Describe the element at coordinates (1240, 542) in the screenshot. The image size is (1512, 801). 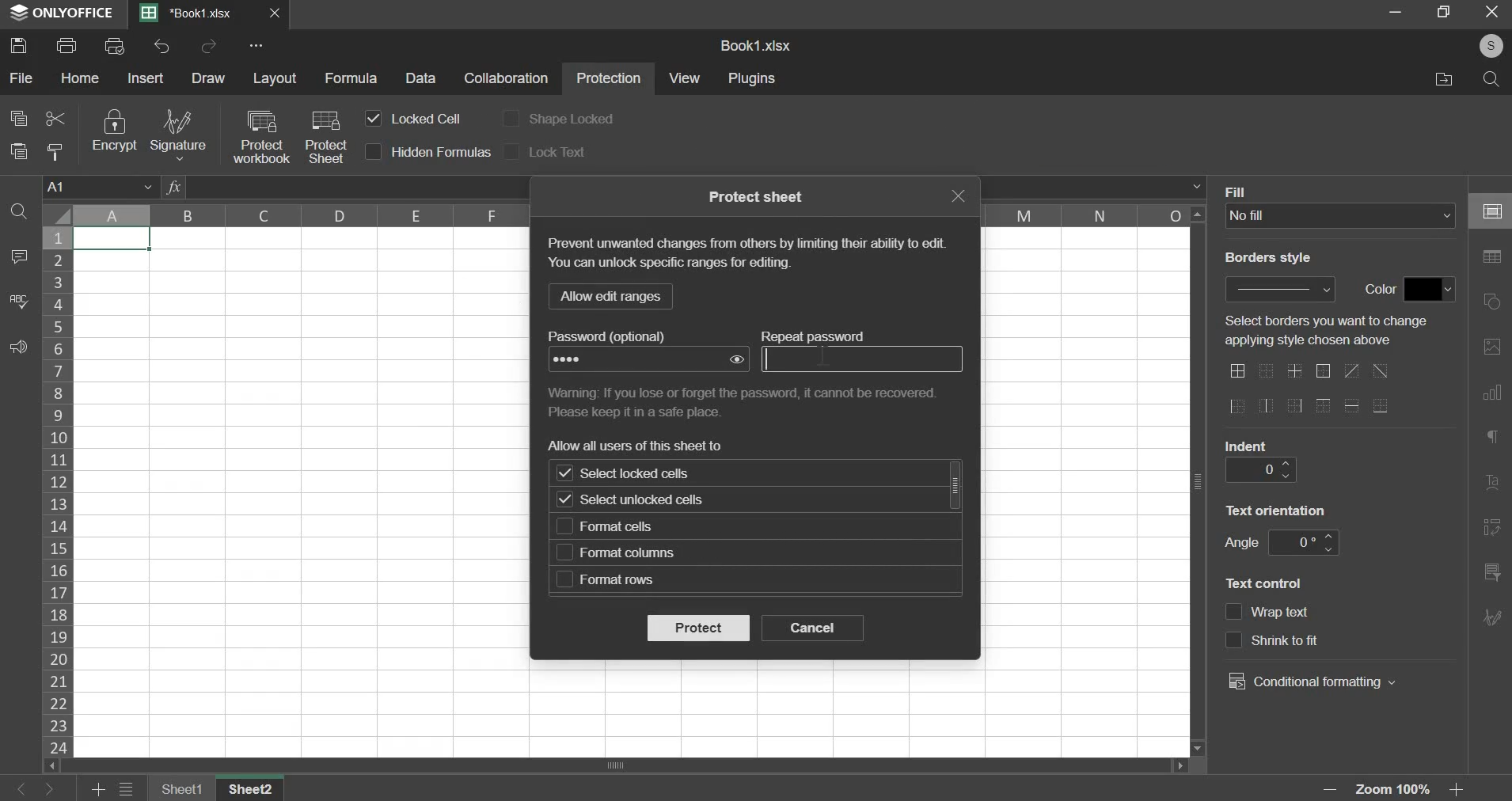
I see `angle` at that location.